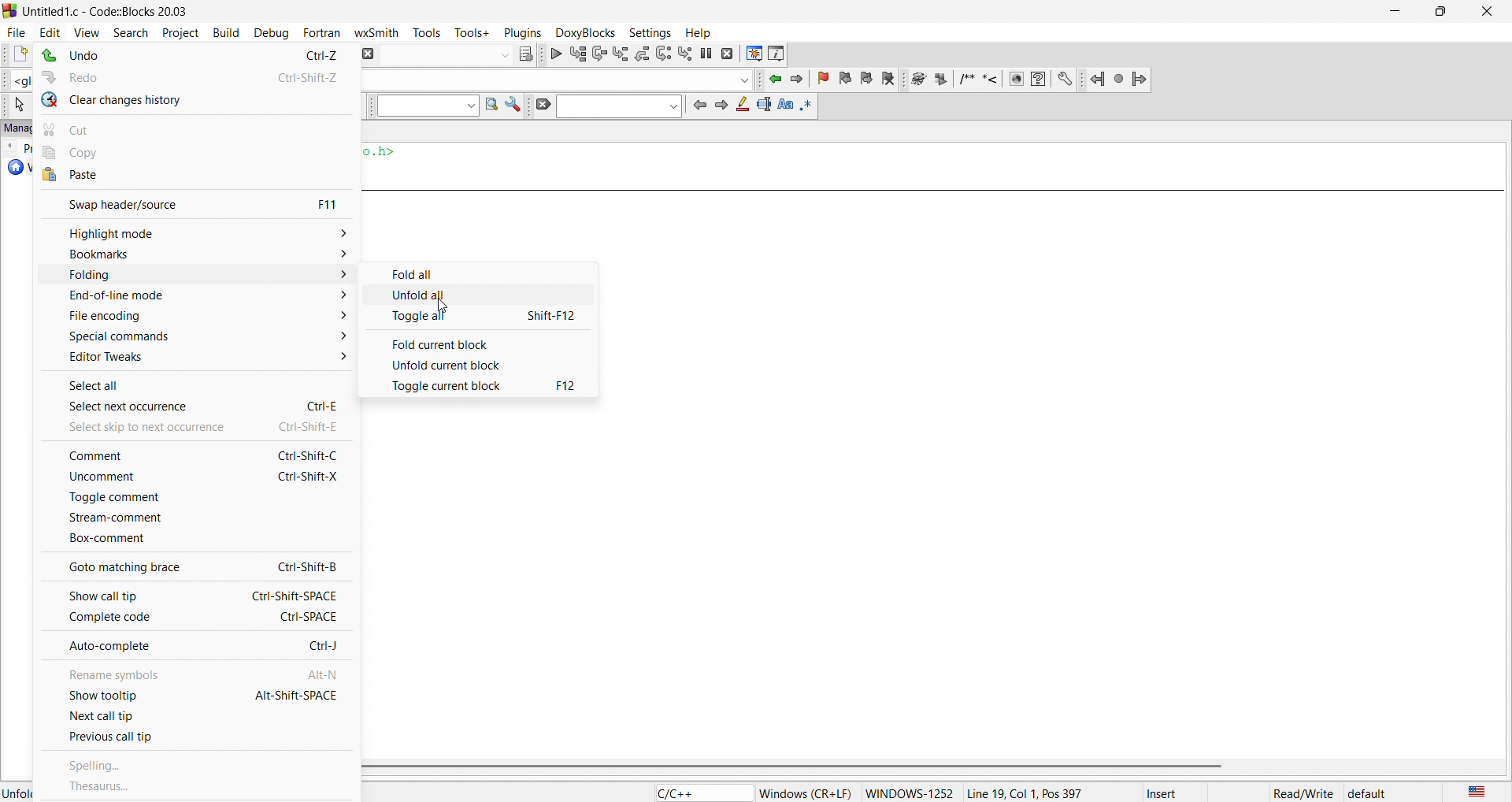 This screenshot has height=802, width=1512. What do you see at coordinates (618, 106) in the screenshot?
I see `inputbox` at bounding box center [618, 106].